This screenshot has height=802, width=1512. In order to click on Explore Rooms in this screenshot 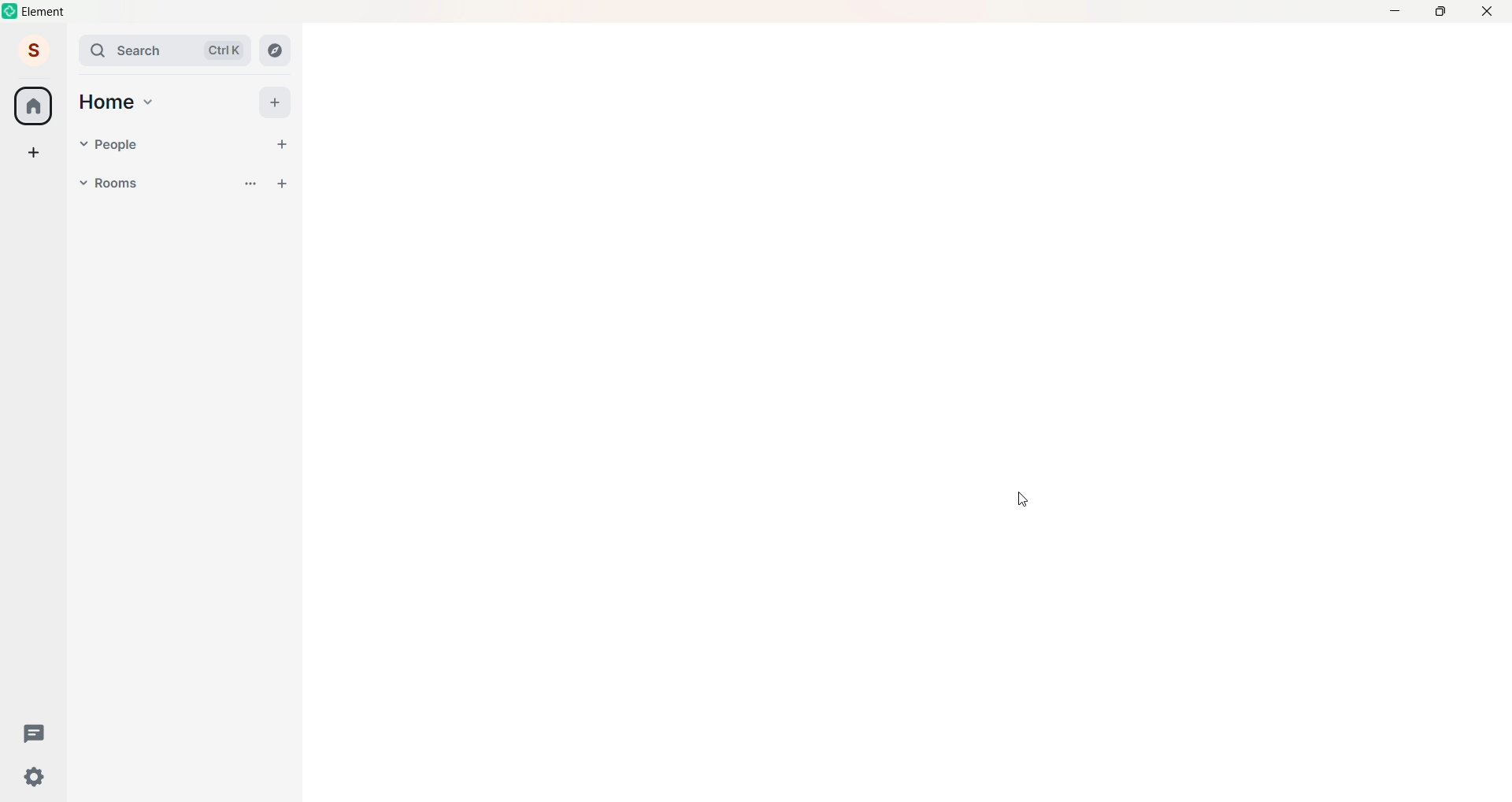, I will do `click(274, 50)`.